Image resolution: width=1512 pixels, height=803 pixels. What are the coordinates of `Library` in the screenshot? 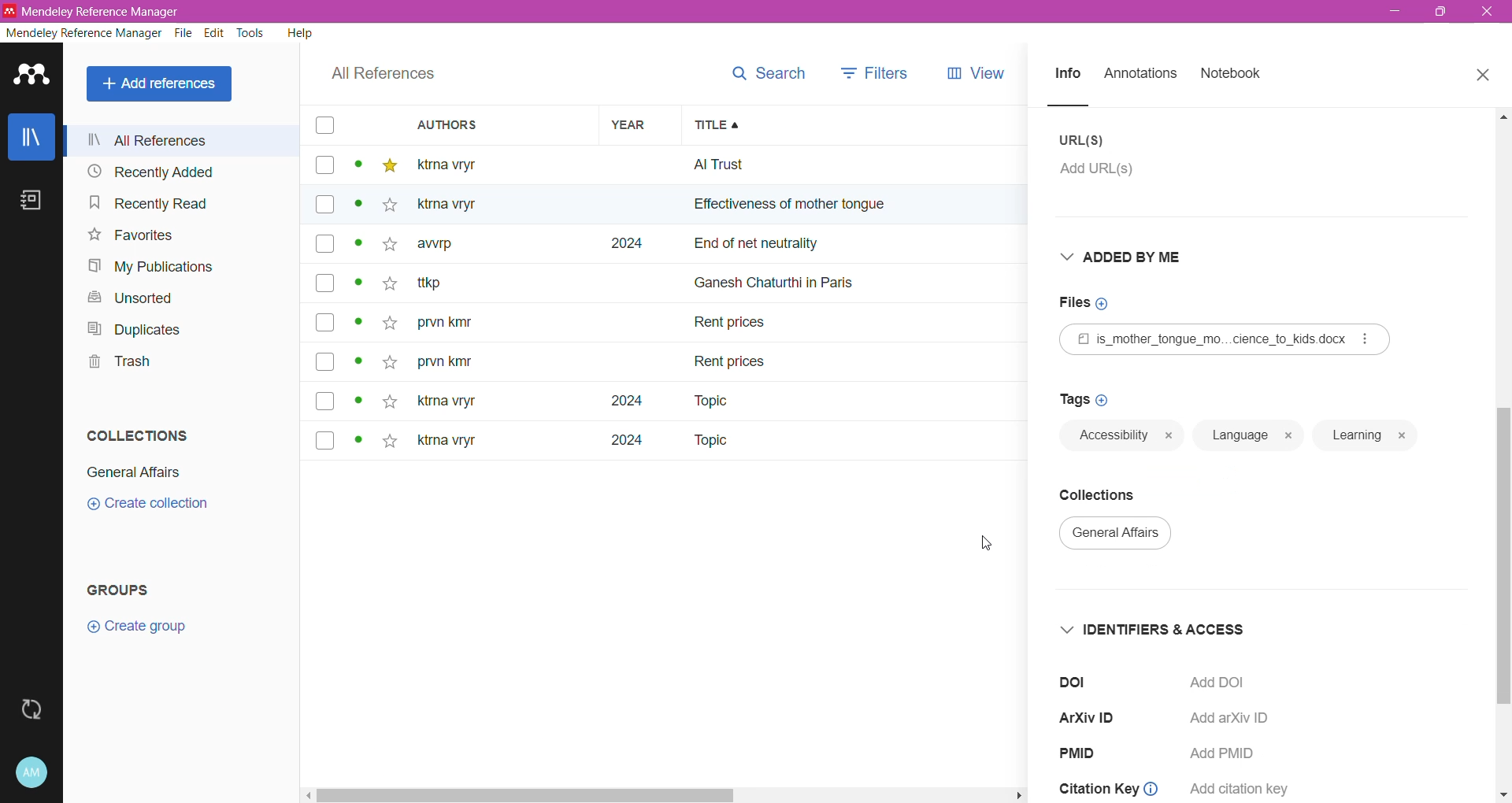 It's located at (31, 136).